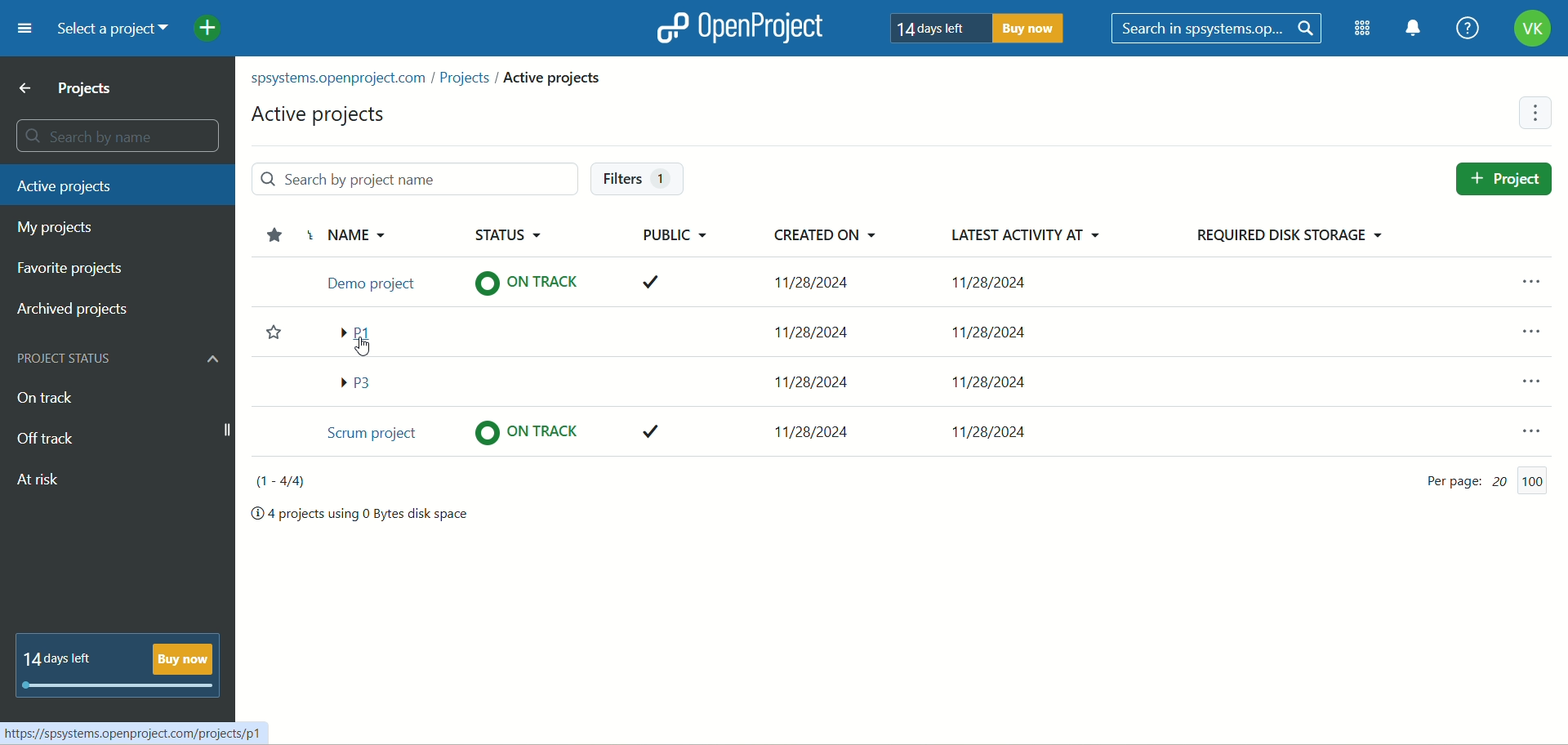 This screenshot has height=745, width=1568. I want to click on cursor, so click(359, 349).